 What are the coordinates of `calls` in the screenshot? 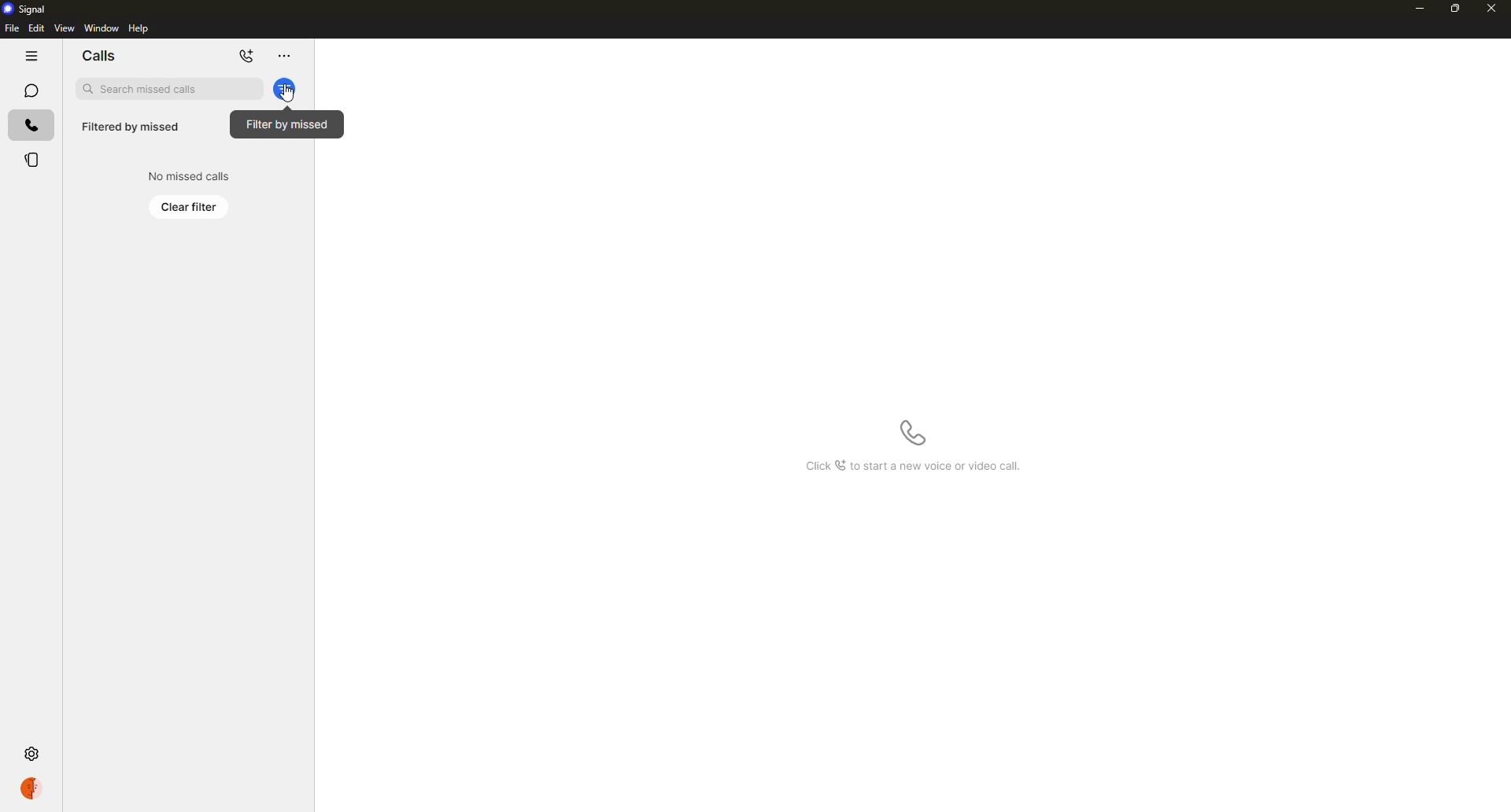 It's located at (31, 125).